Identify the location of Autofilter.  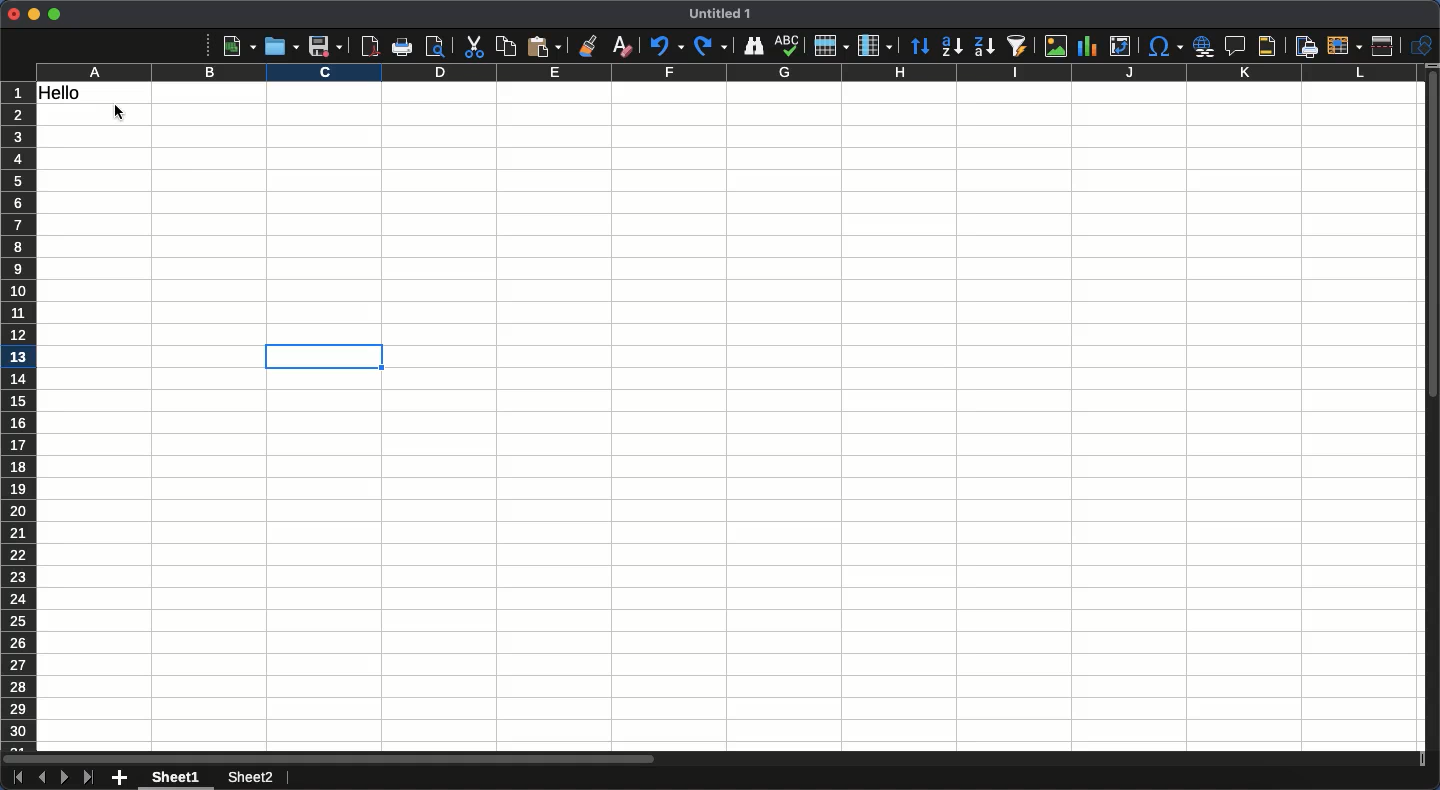
(1016, 46).